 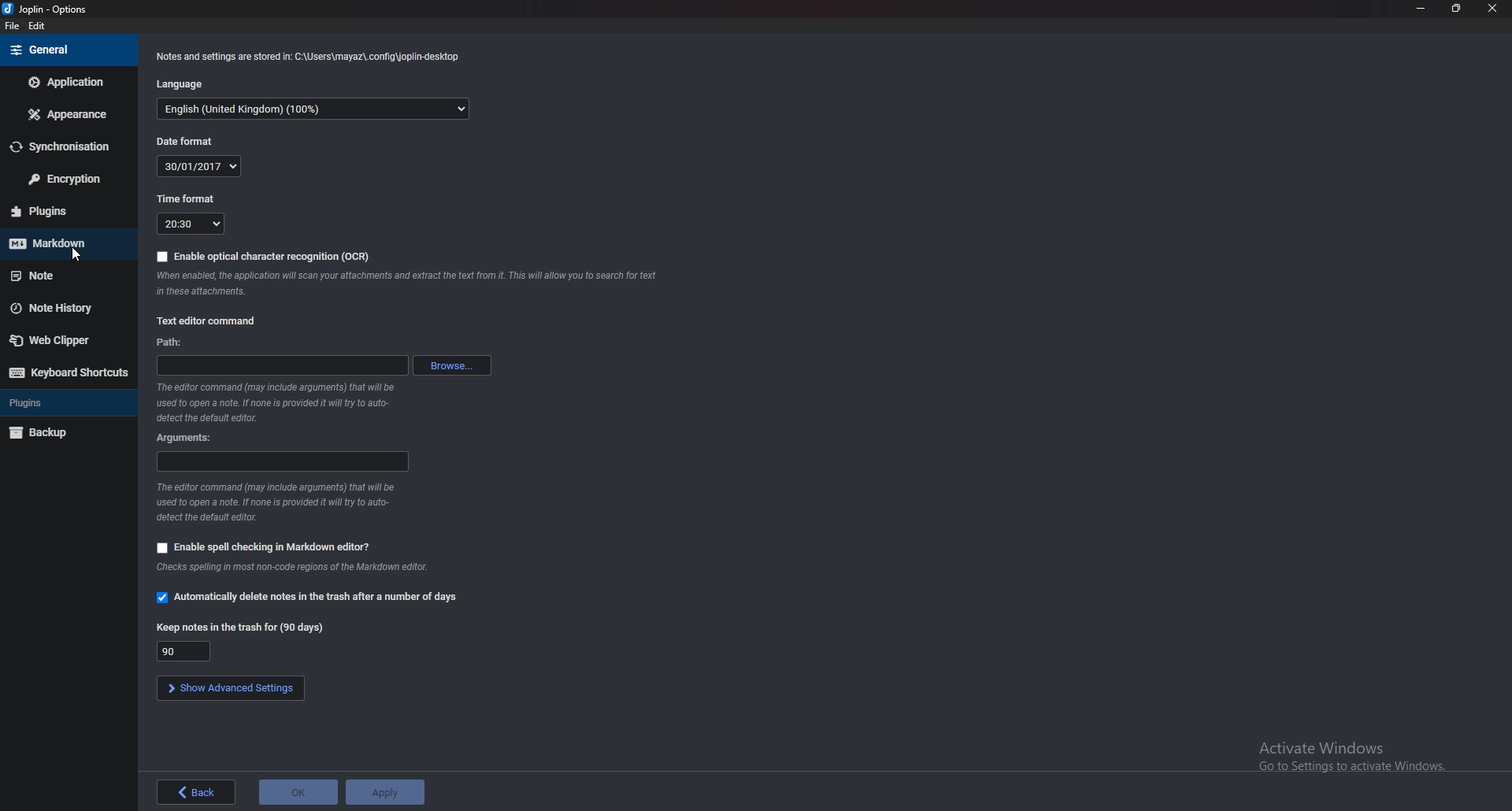 What do you see at coordinates (186, 651) in the screenshot?
I see `Keep notes in the trash for` at bounding box center [186, 651].